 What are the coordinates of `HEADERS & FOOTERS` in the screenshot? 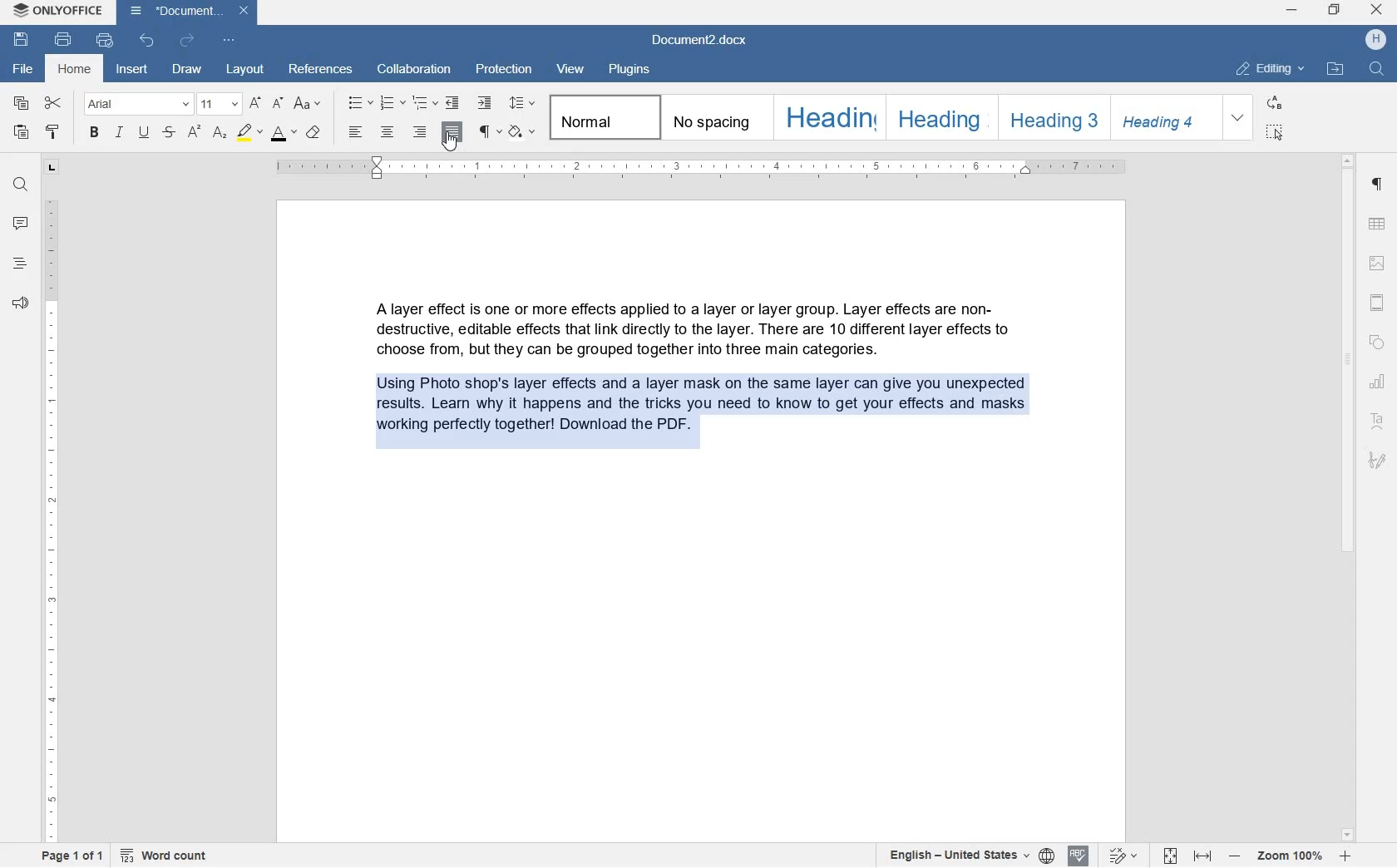 It's located at (1377, 262).